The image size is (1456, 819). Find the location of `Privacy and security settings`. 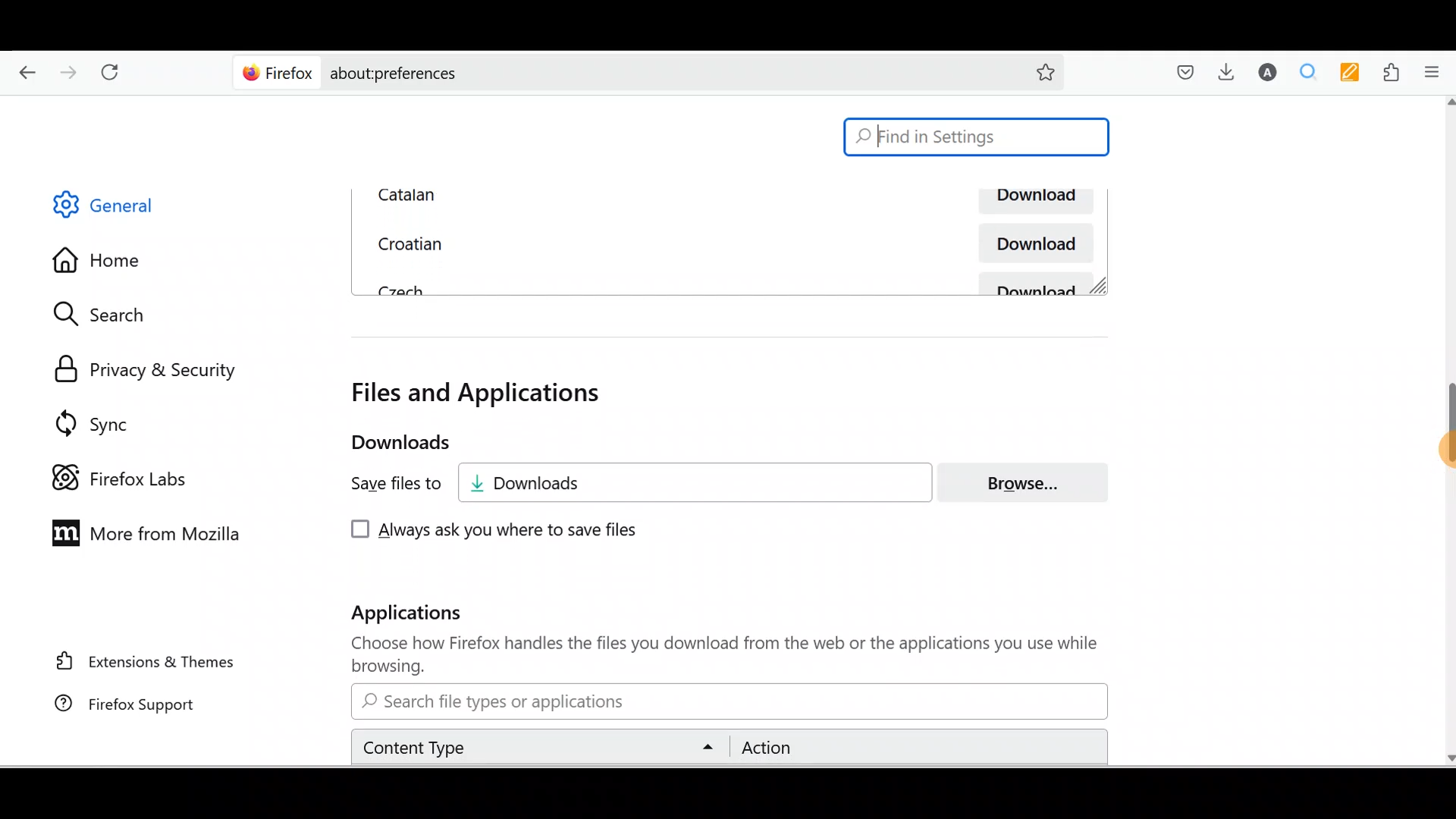

Privacy and security settings is located at coordinates (139, 366).